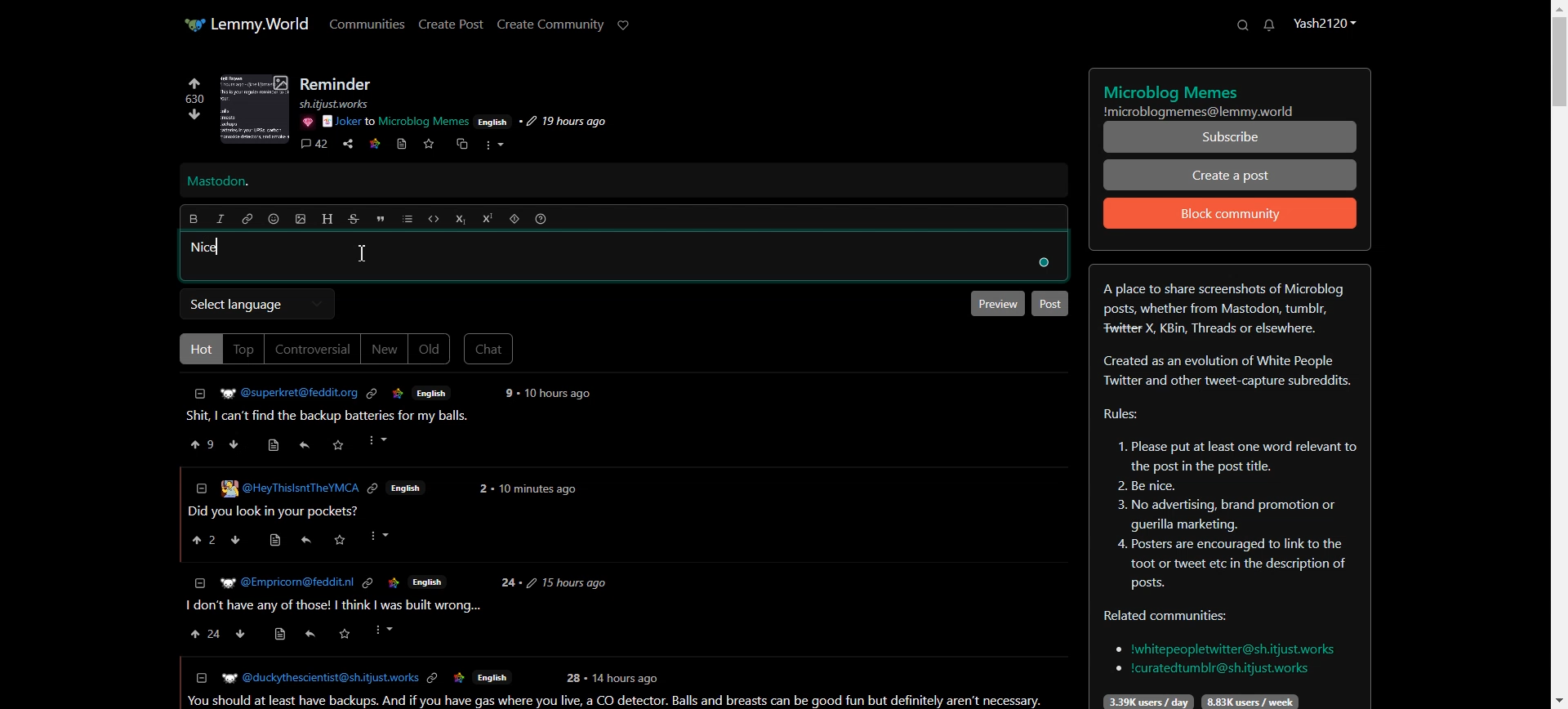 The height and width of the screenshot is (709, 1568). What do you see at coordinates (255, 109) in the screenshot?
I see `Profile picture` at bounding box center [255, 109].